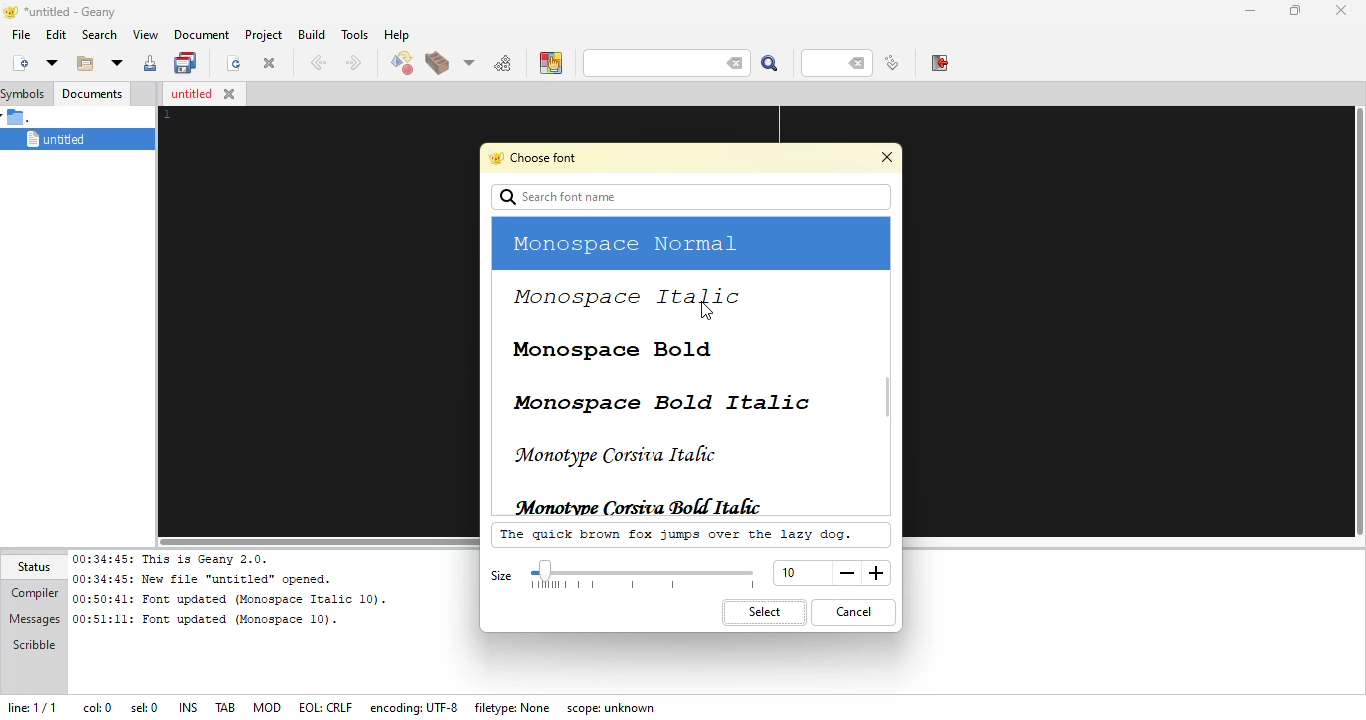 Image resolution: width=1366 pixels, height=720 pixels. Describe the element at coordinates (56, 35) in the screenshot. I see `edit` at that location.